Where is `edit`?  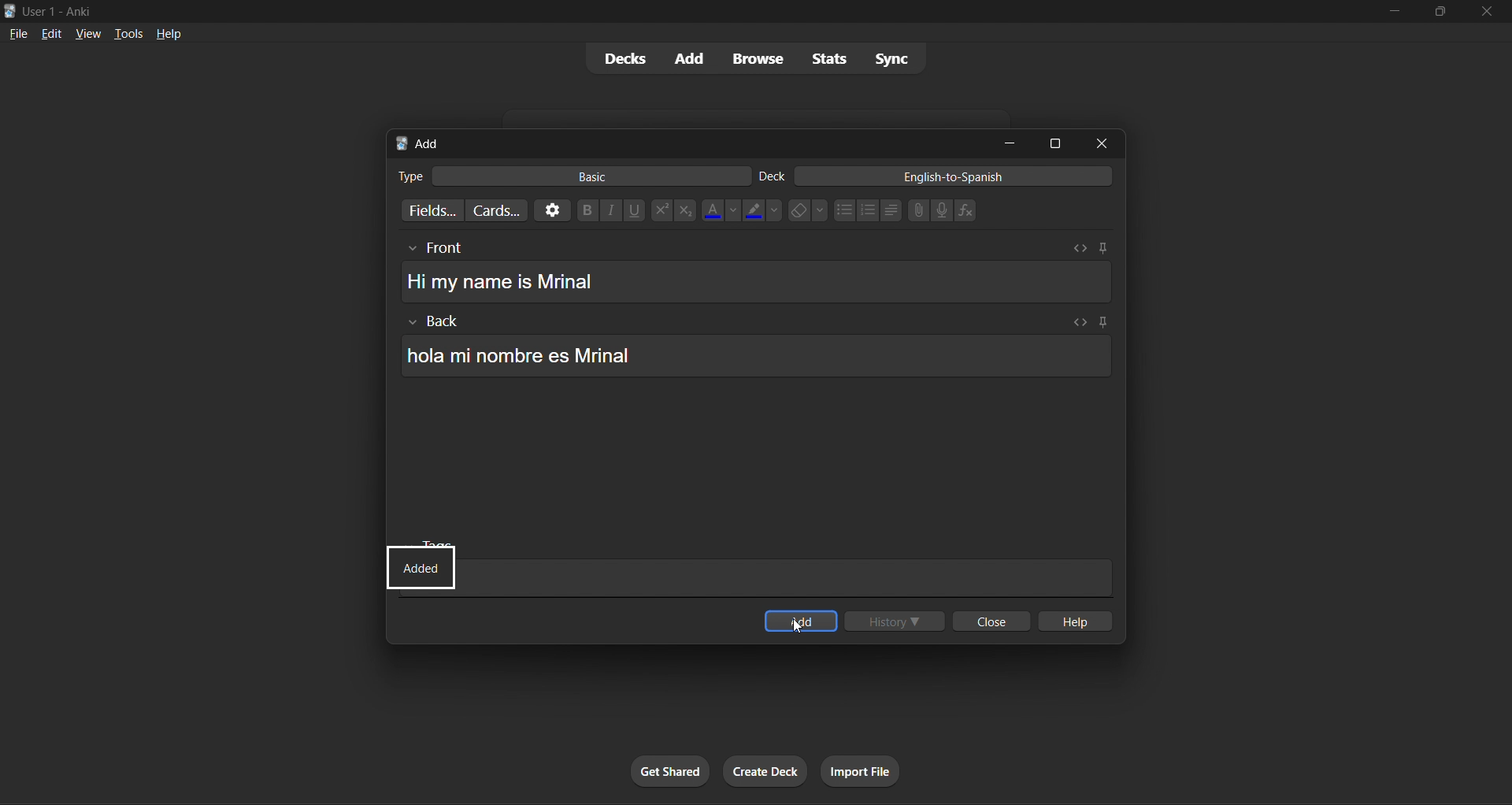 edit is located at coordinates (47, 31).